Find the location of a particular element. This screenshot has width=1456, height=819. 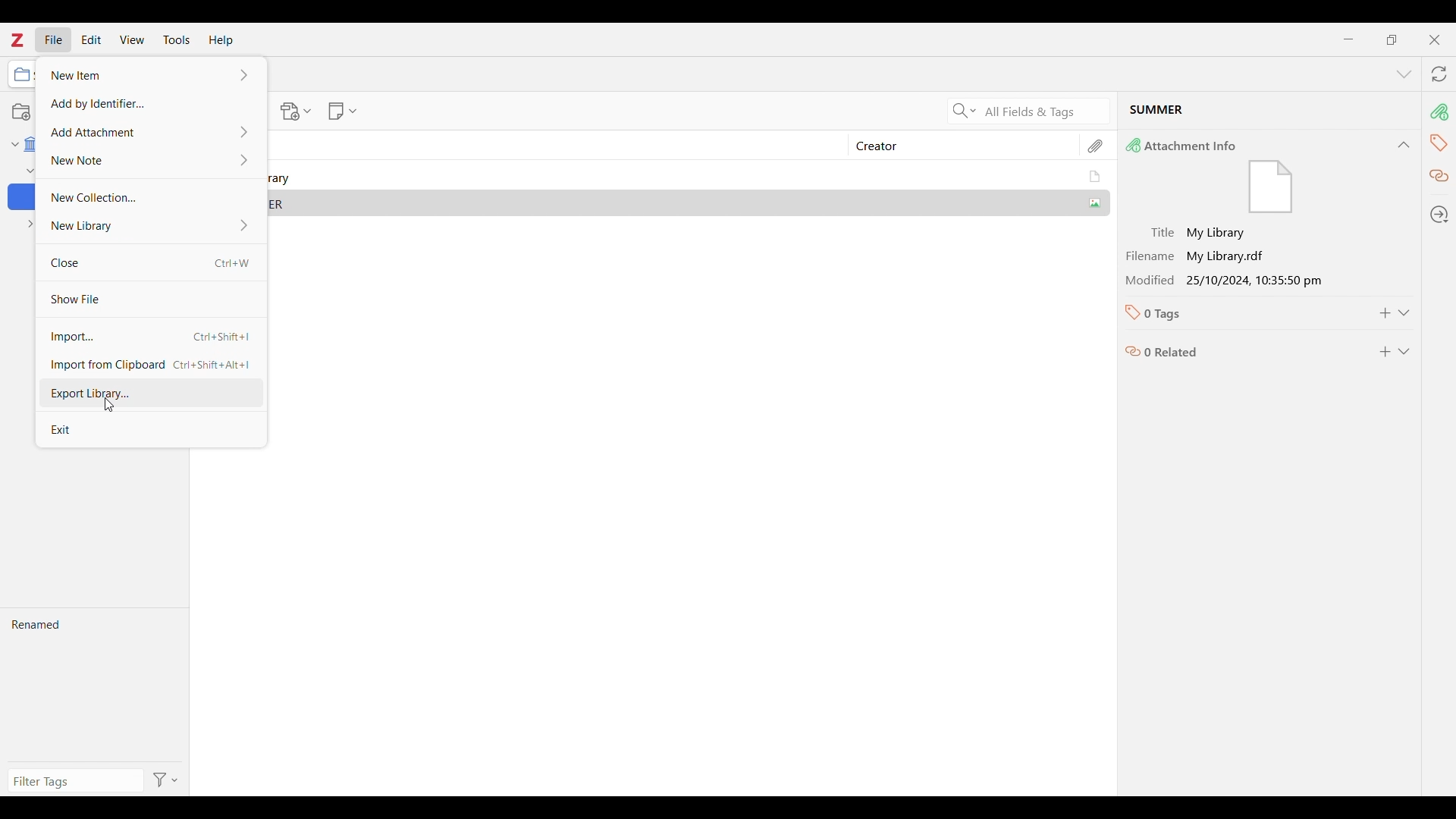

Filter is located at coordinates (168, 780).